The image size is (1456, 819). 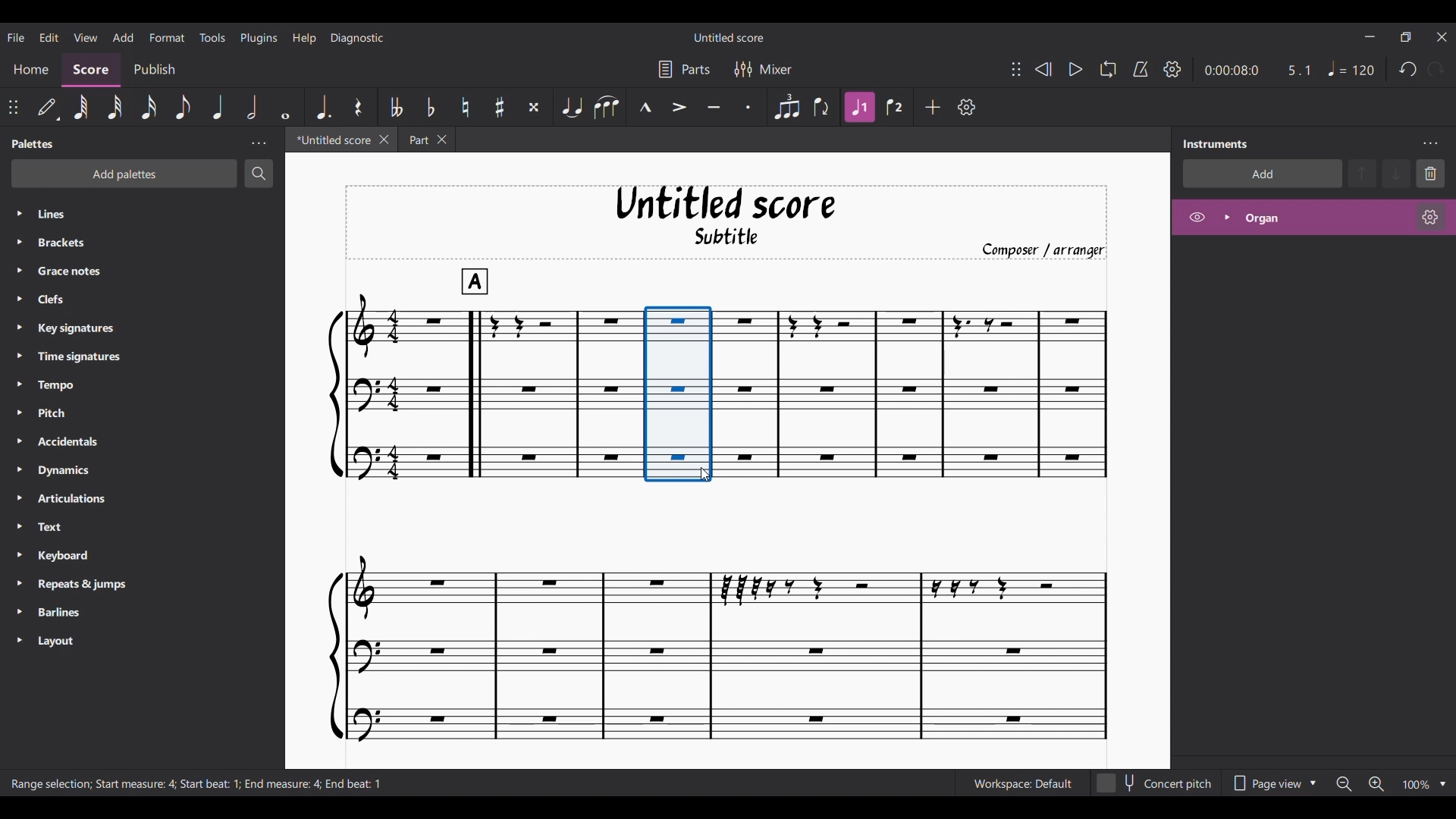 I want to click on File menu, so click(x=16, y=37).